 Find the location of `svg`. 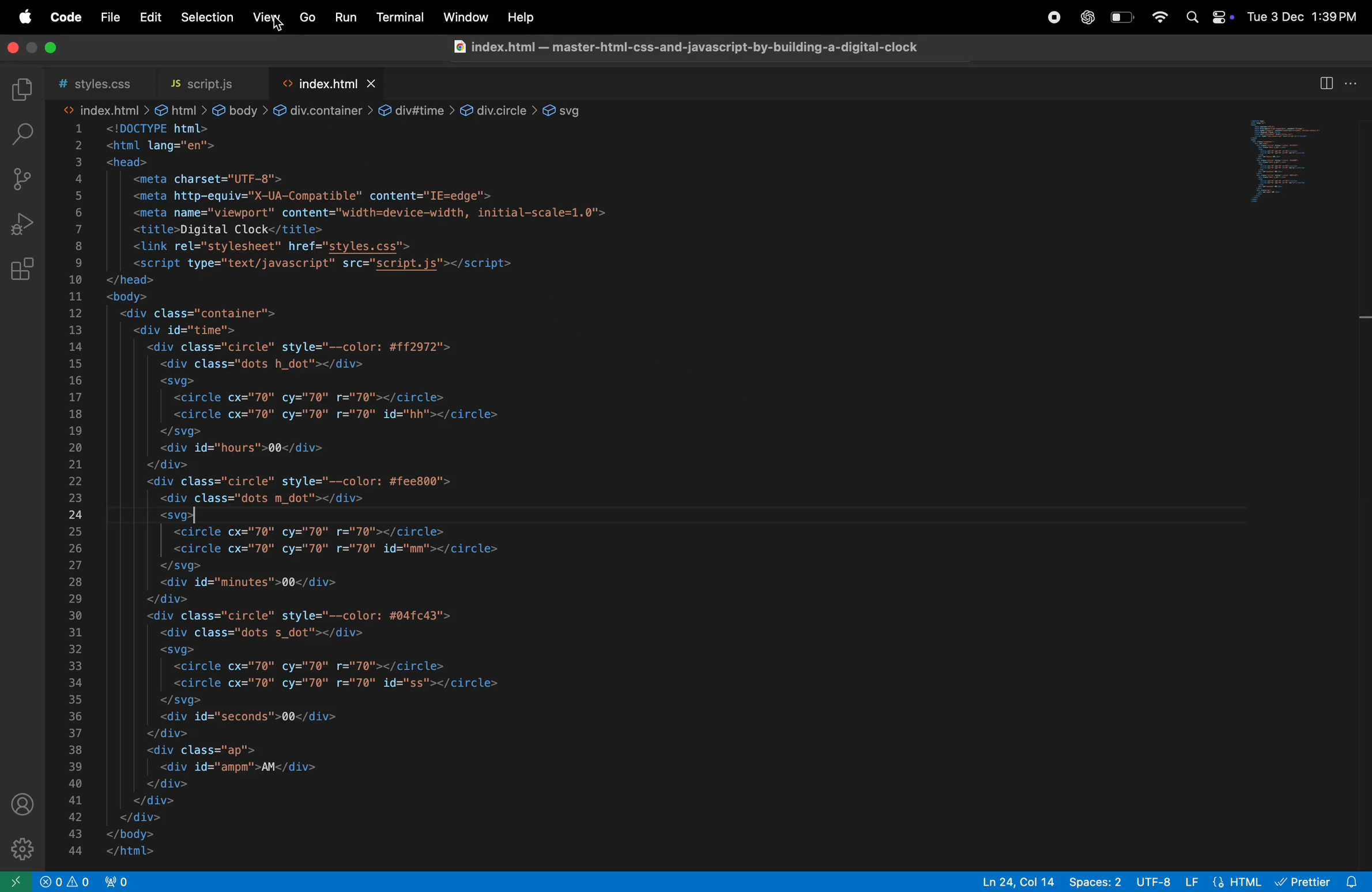

svg is located at coordinates (570, 109).